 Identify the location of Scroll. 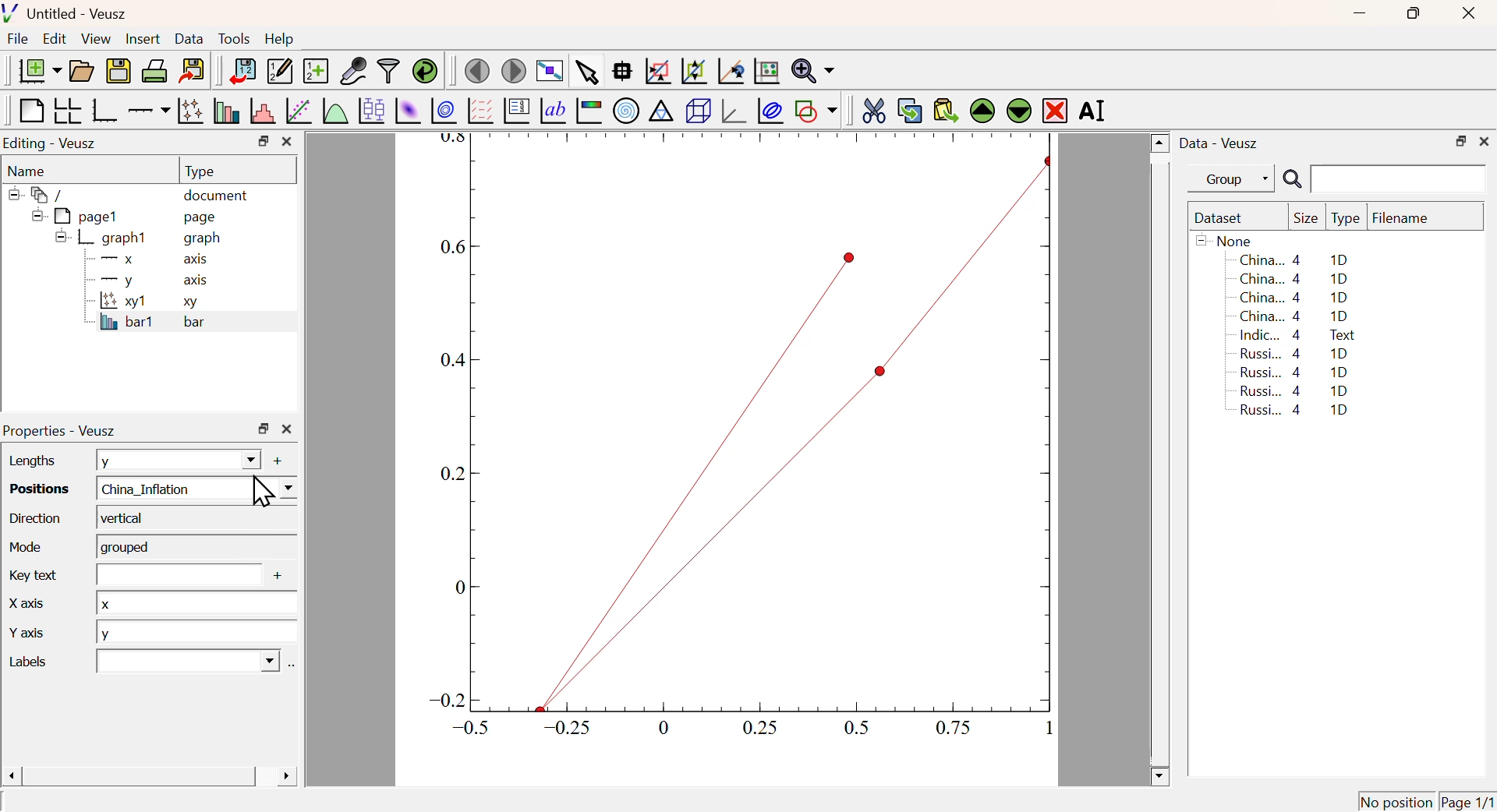
(149, 778).